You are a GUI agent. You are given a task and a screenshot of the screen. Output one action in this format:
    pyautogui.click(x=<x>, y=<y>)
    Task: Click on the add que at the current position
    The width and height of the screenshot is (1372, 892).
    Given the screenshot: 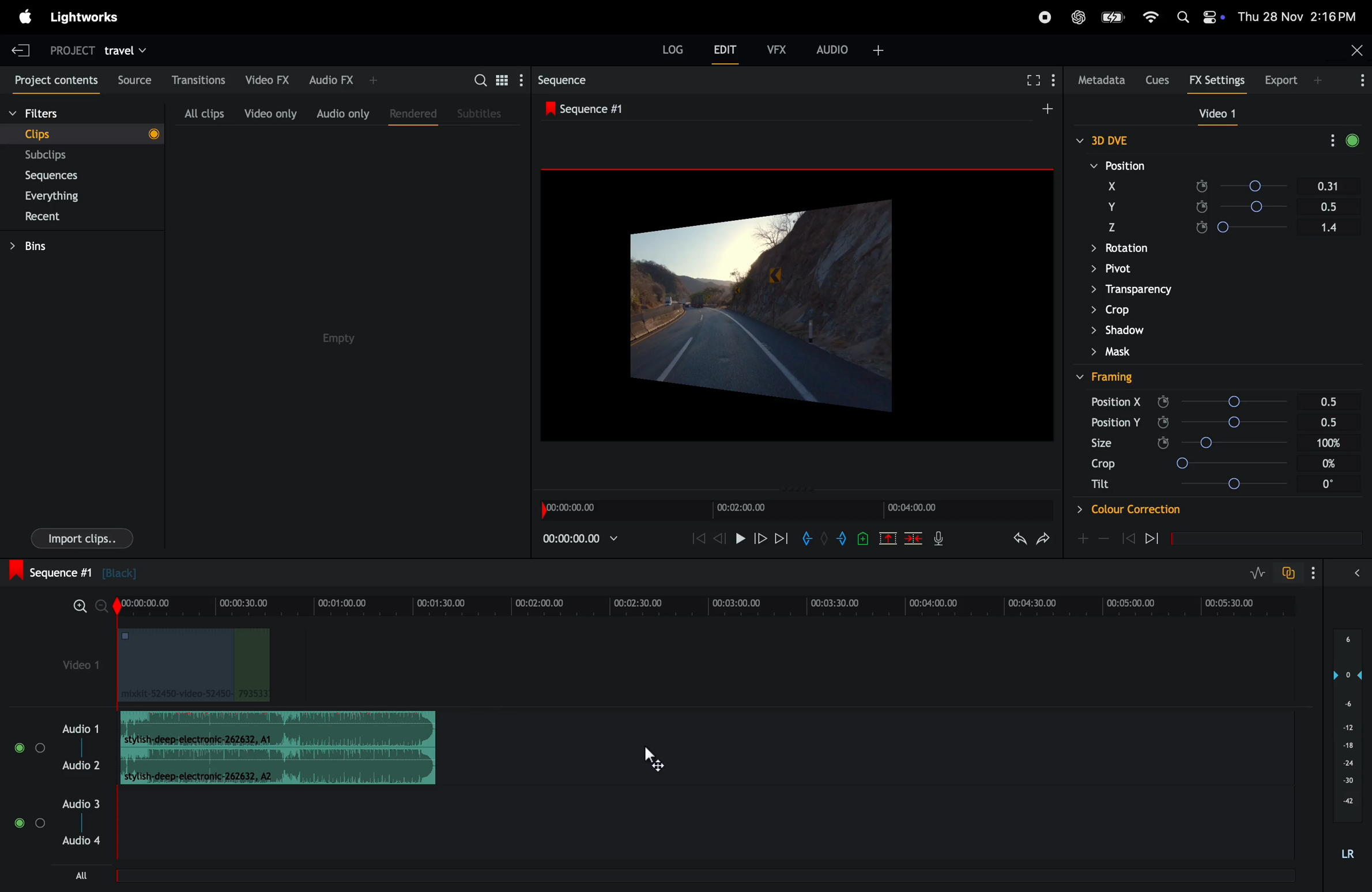 What is the action you would take?
    pyautogui.click(x=864, y=538)
    